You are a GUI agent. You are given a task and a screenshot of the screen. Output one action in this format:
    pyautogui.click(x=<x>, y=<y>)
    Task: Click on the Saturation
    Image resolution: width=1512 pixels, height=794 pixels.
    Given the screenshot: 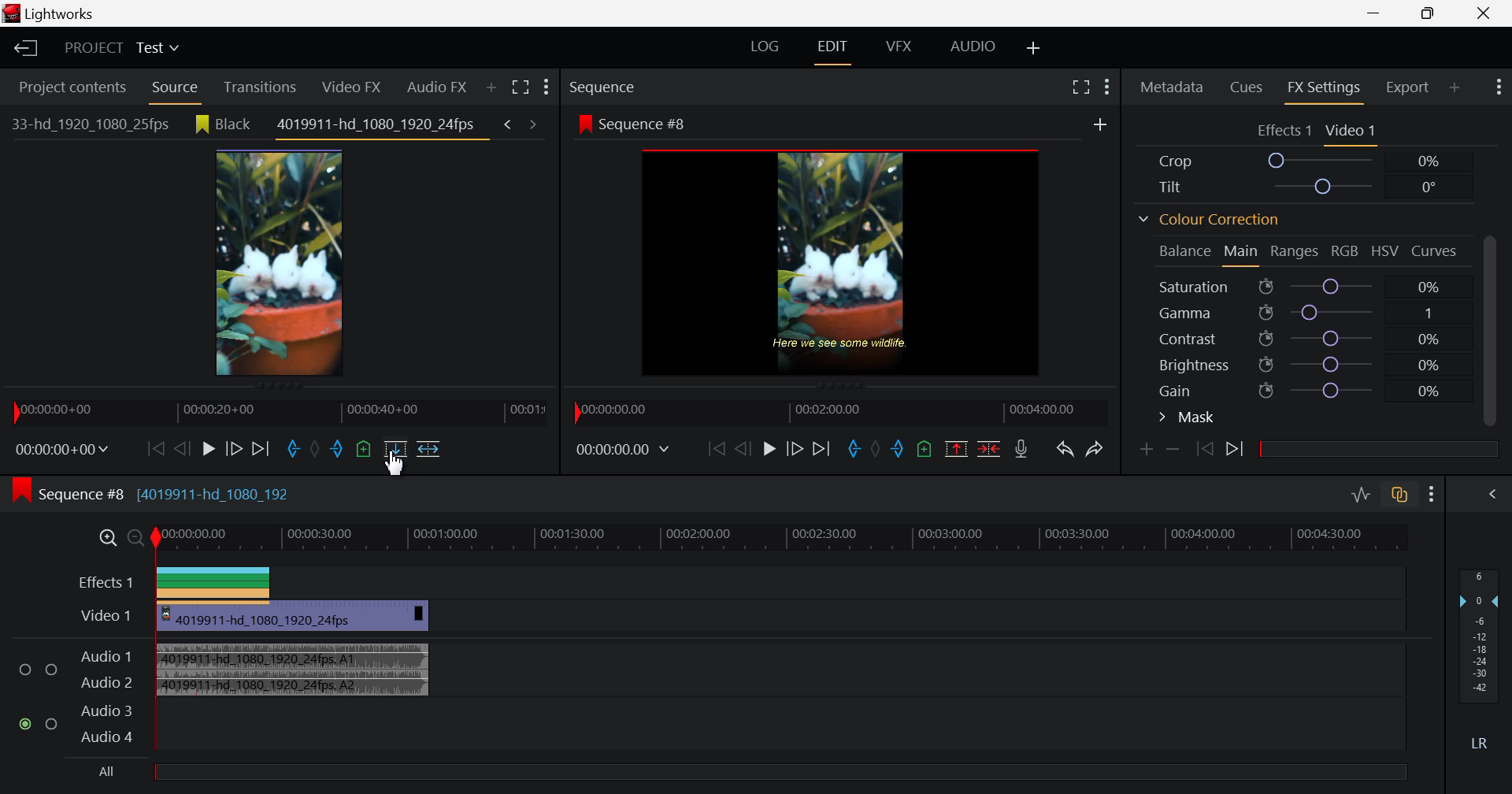 What is the action you would take?
    pyautogui.click(x=1303, y=287)
    